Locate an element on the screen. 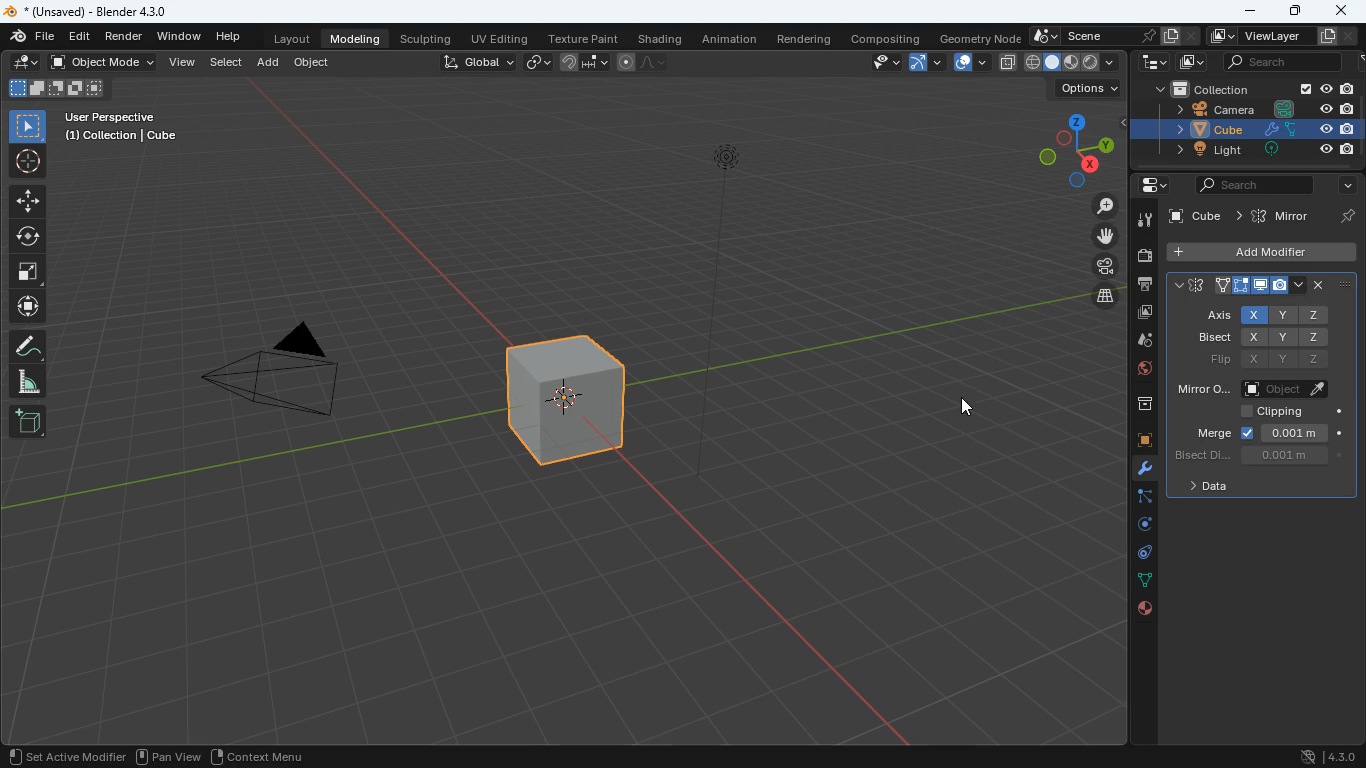 The image size is (1366, 768).  is located at coordinates (1347, 150).